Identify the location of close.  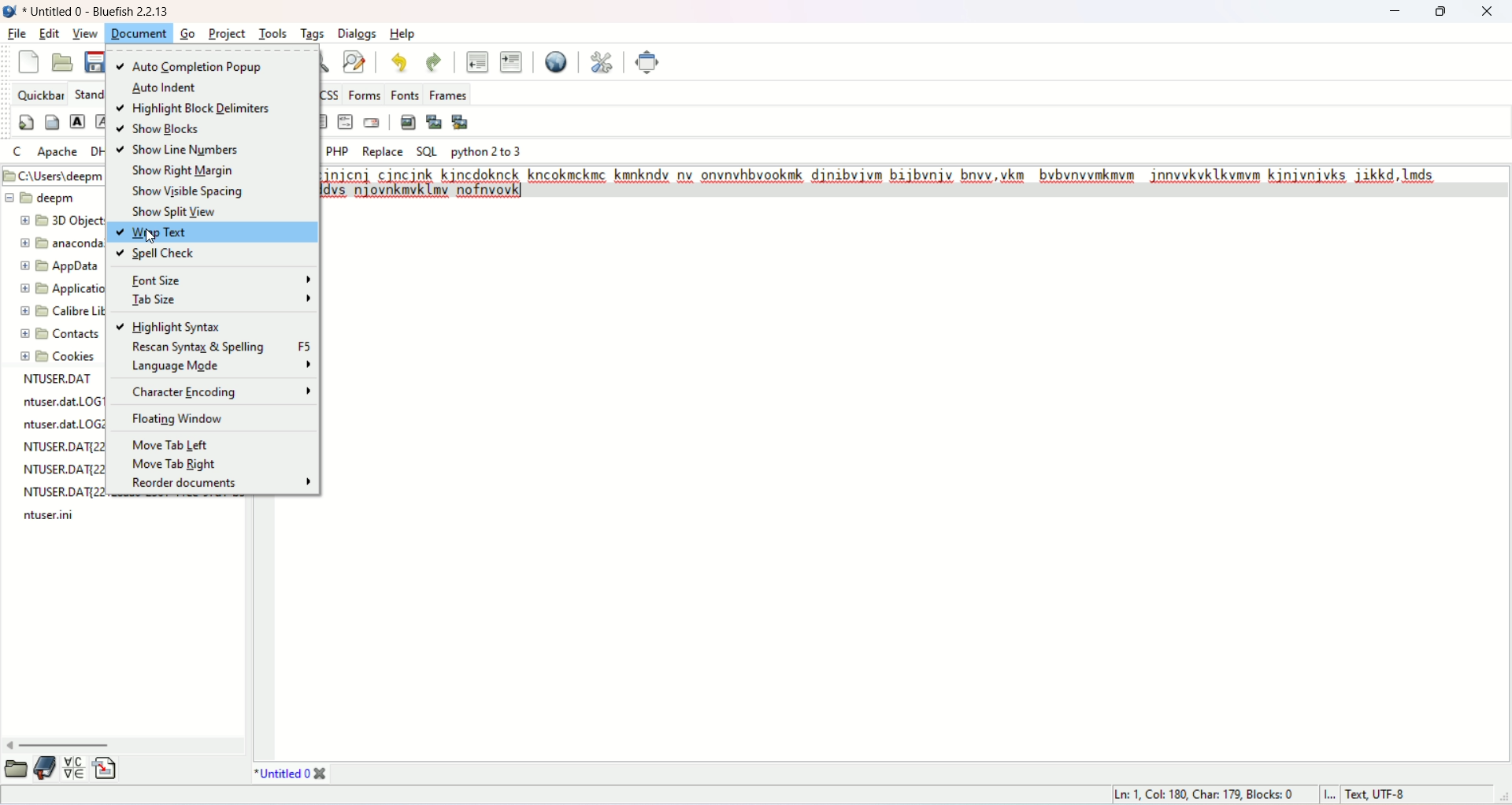
(1490, 10).